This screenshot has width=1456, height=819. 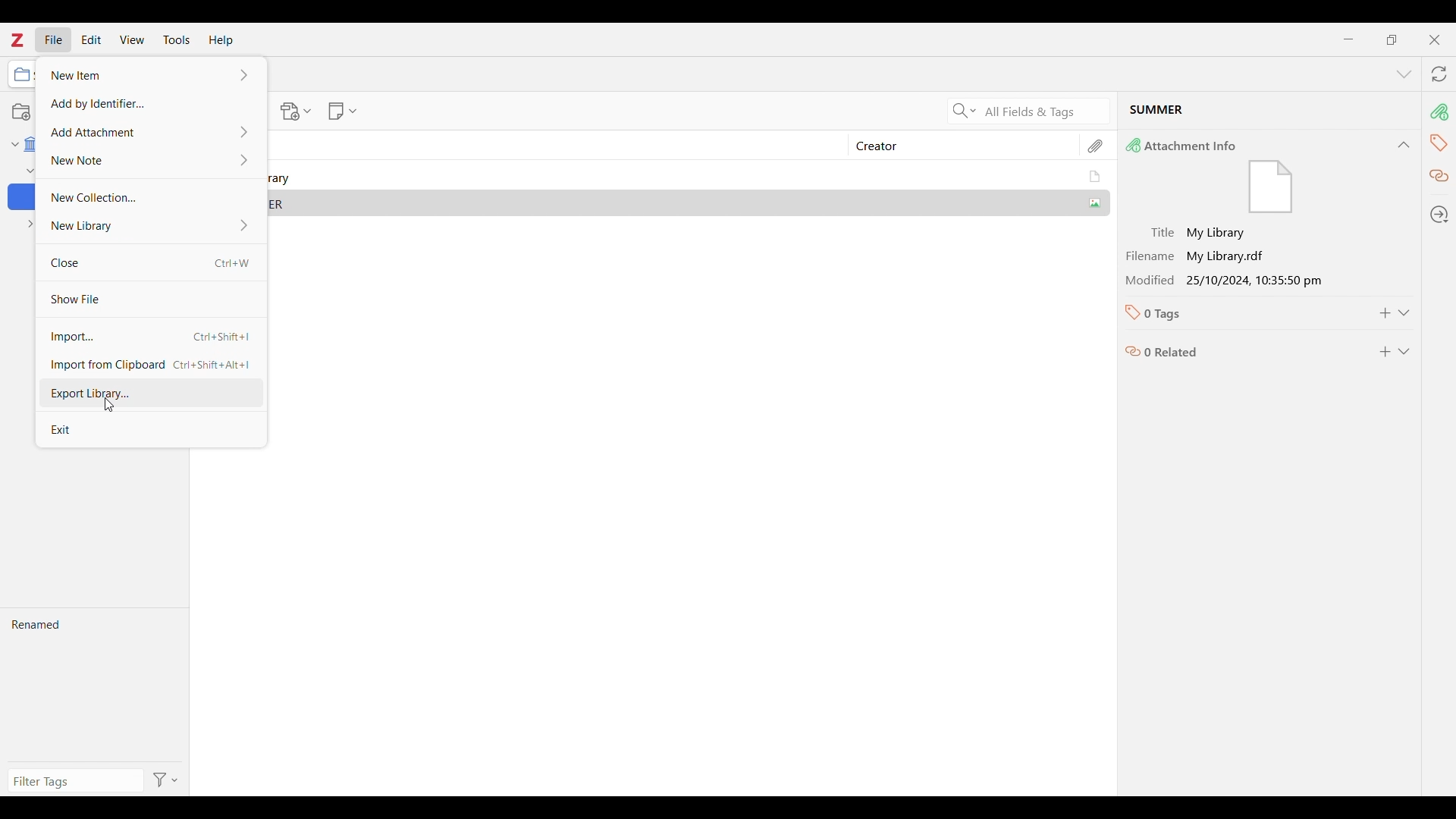 I want to click on Add, so click(x=1385, y=313).